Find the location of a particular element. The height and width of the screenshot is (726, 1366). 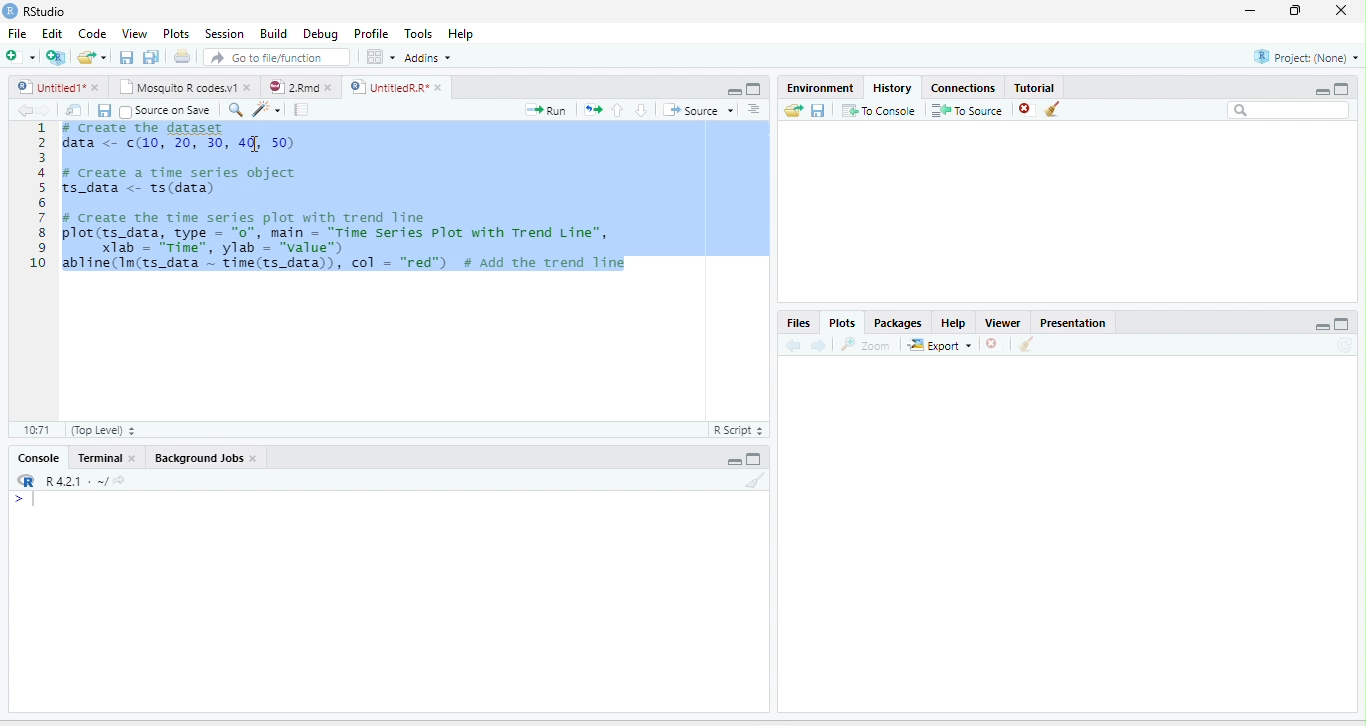

1:1 is located at coordinates (35, 430).